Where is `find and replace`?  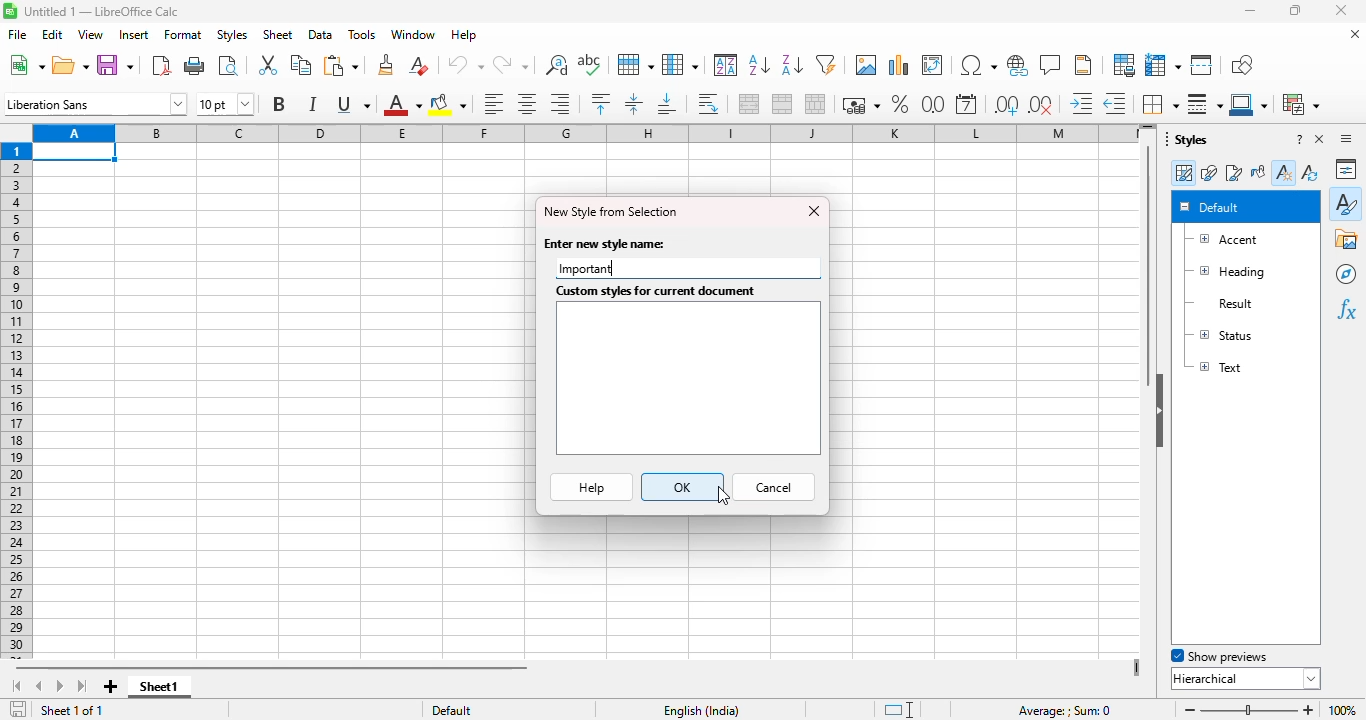
find and replace is located at coordinates (557, 65).